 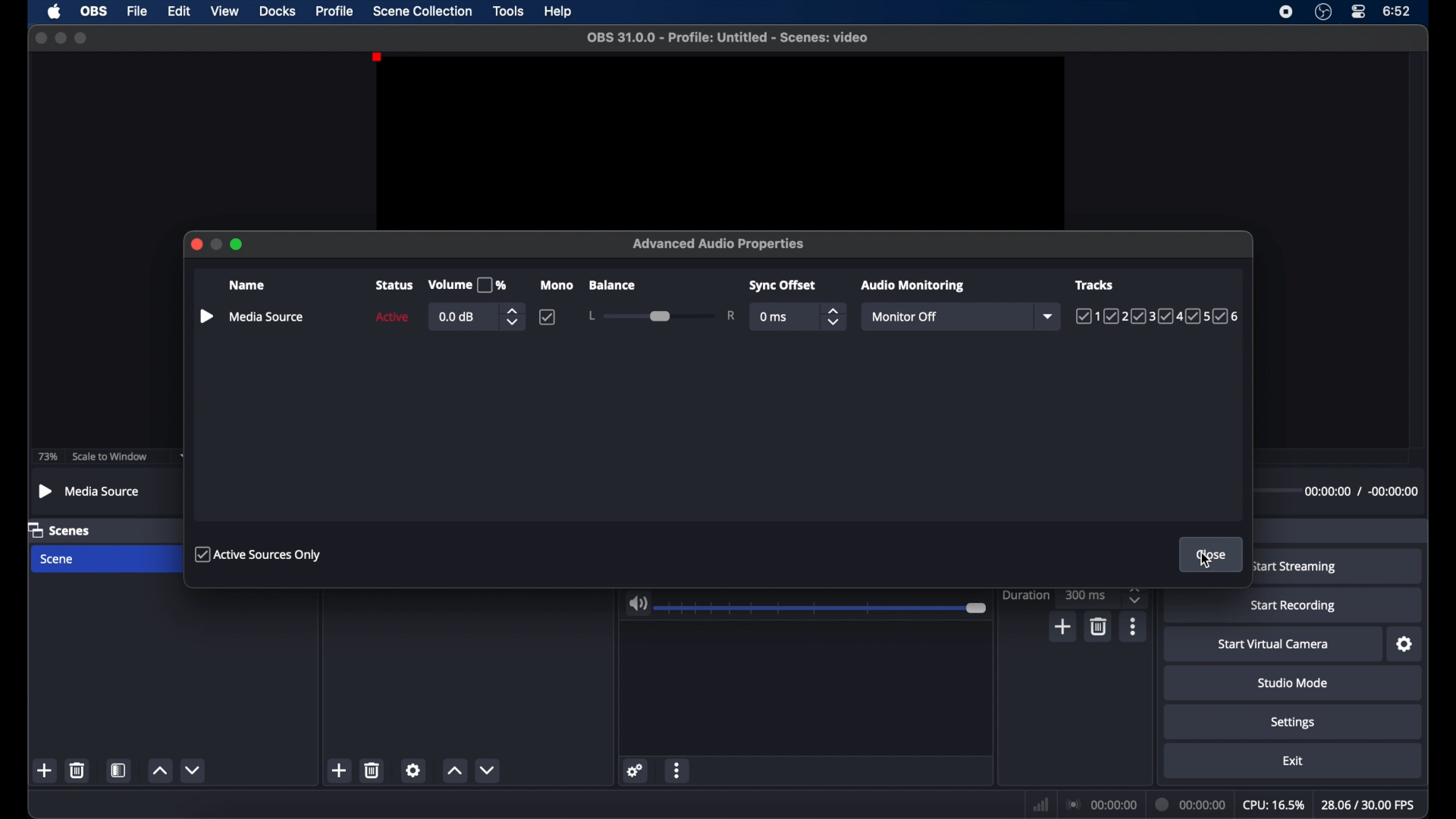 What do you see at coordinates (1274, 645) in the screenshot?
I see `start virtual camera` at bounding box center [1274, 645].